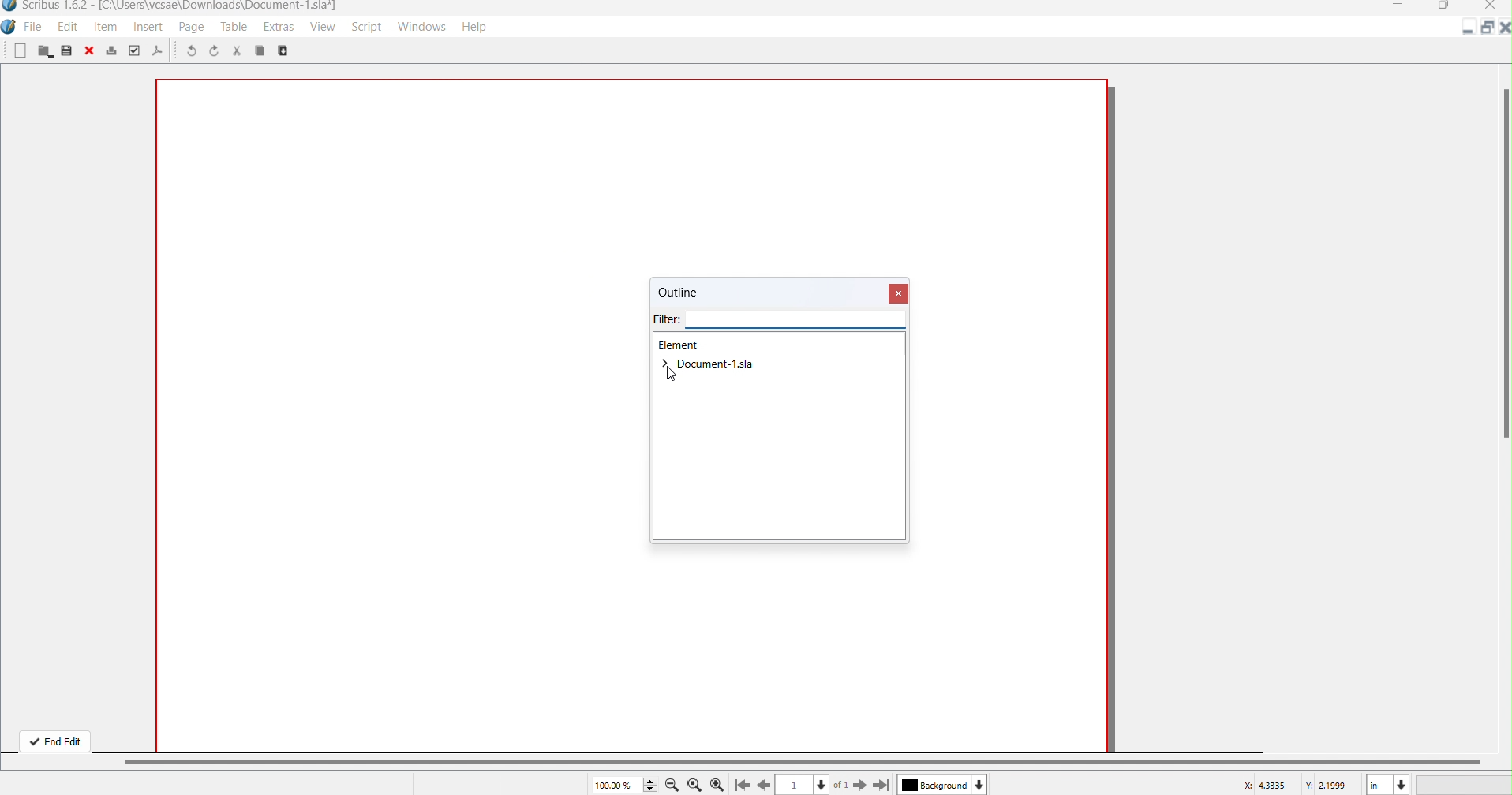 The image size is (1512, 795). Describe the element at coordinates (201, 51) in the screenshot. I see `` at that location.